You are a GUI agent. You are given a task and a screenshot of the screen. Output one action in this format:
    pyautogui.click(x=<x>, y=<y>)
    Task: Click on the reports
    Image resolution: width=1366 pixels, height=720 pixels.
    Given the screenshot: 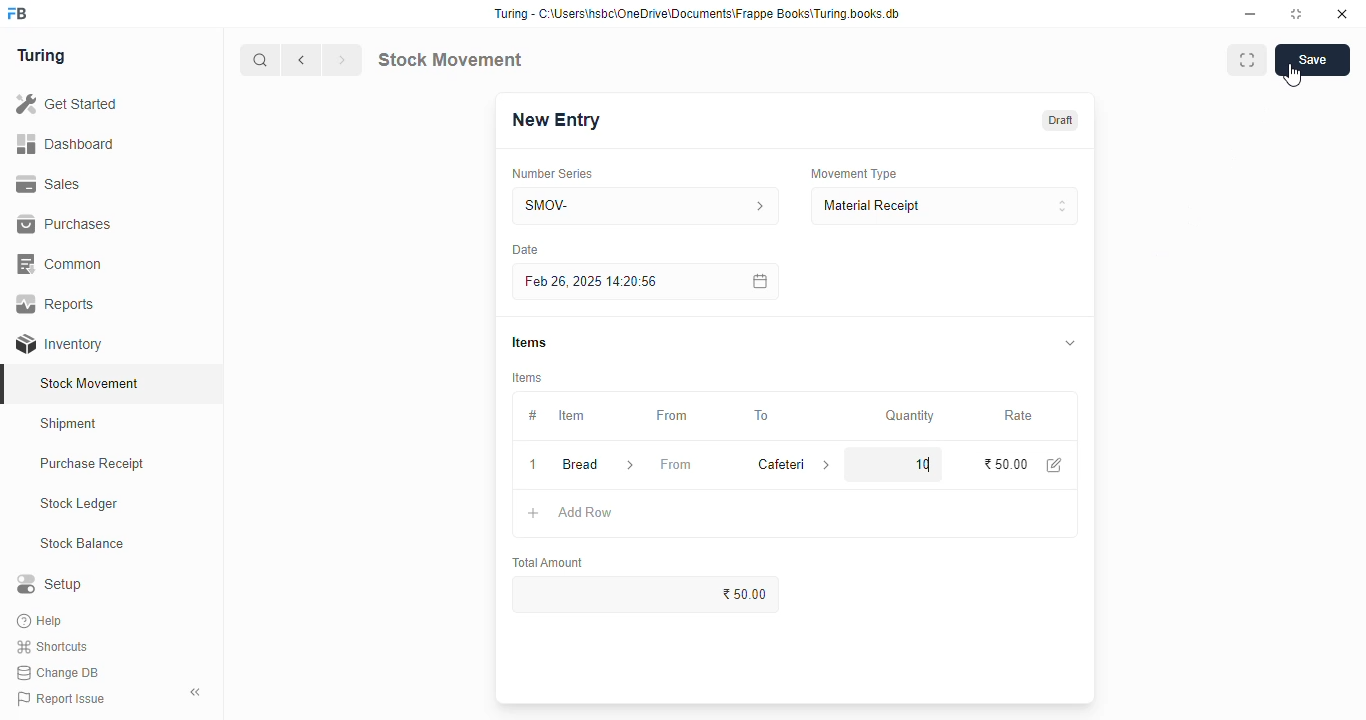 What is the action you would take?
    pyautogui.click(x=57, y=303)
    